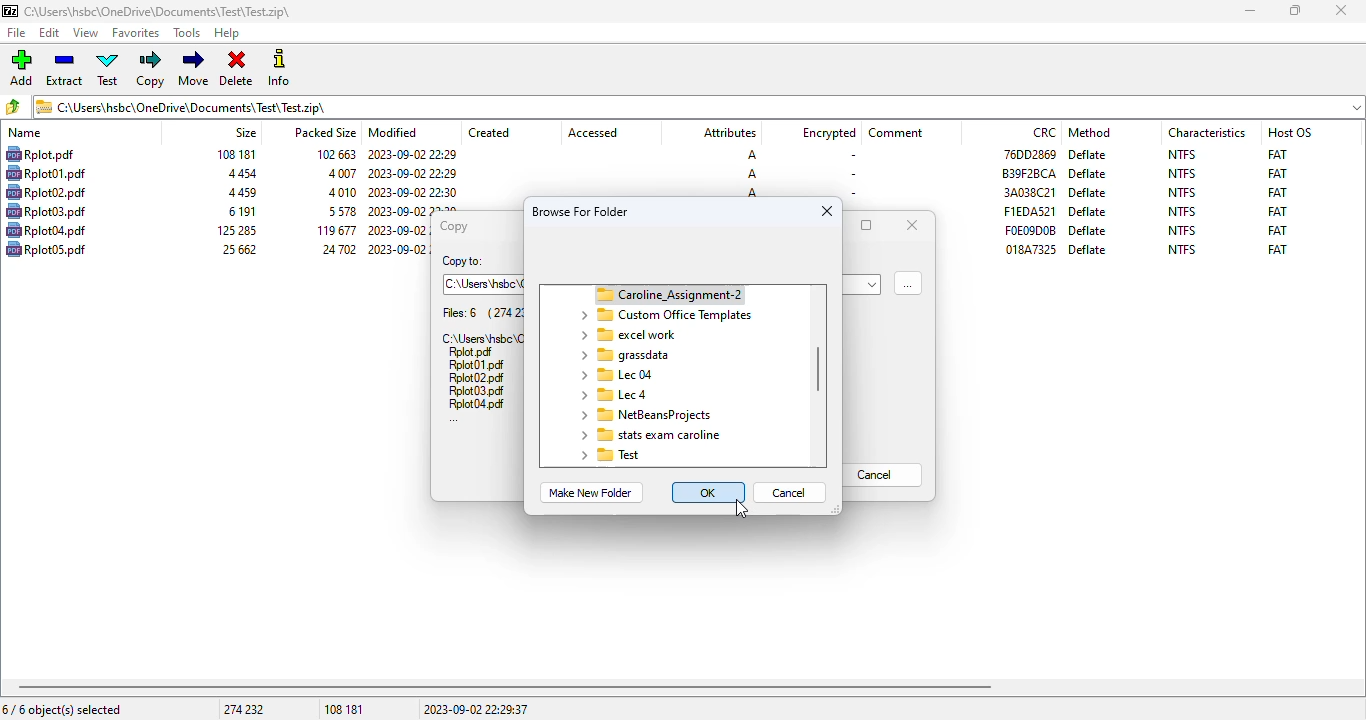  What do you see at coordinates (581, 211) in the screenshot?
I see `browse for folder` at bounding box center [581, 211].